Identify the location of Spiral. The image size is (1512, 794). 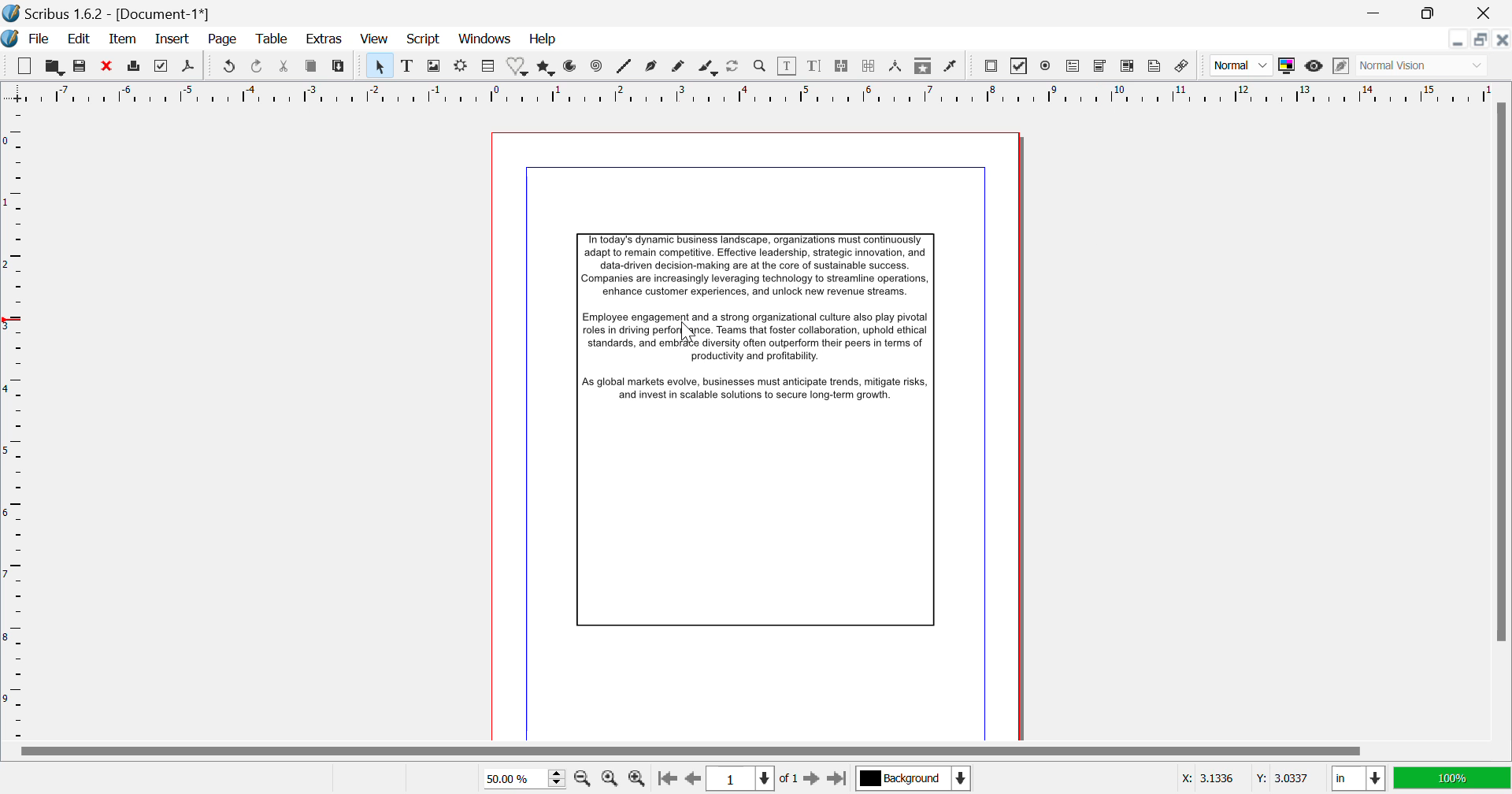
(595, 66).